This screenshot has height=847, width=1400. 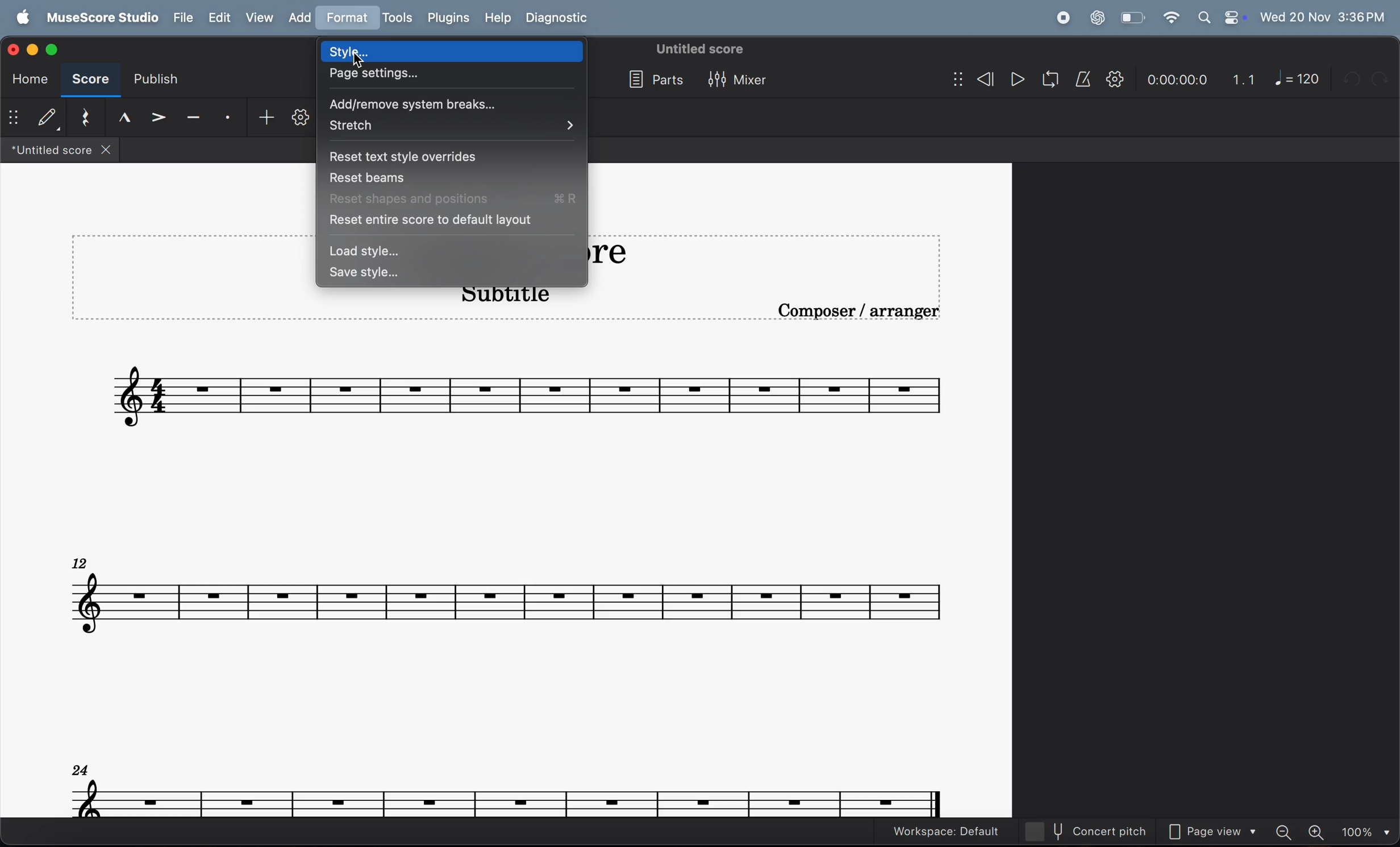 I want to click on zoom out, so click(x=1287, y=831).